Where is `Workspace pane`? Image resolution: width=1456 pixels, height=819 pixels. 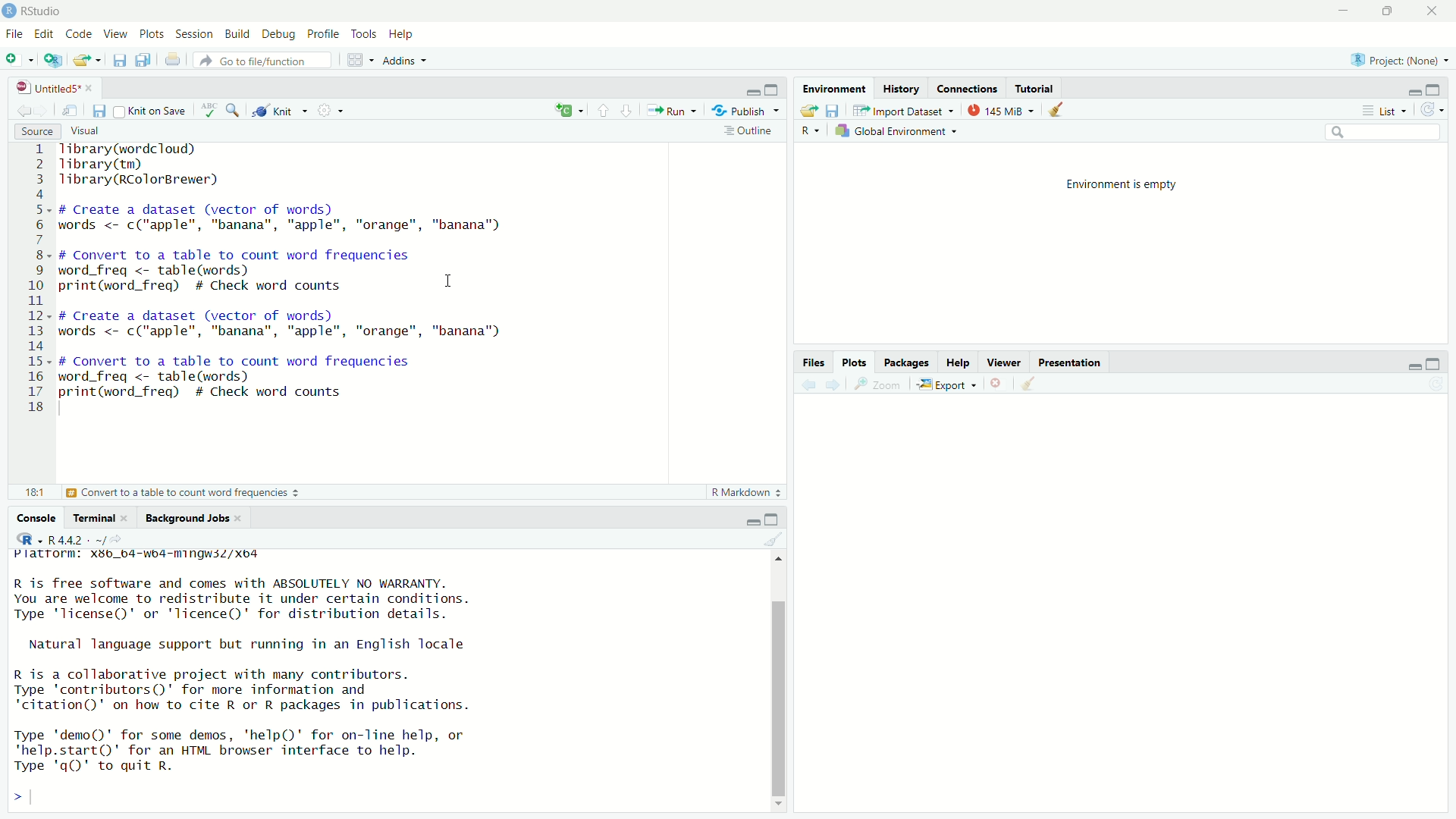
Workspace pane is located at coordinates (360, 59).